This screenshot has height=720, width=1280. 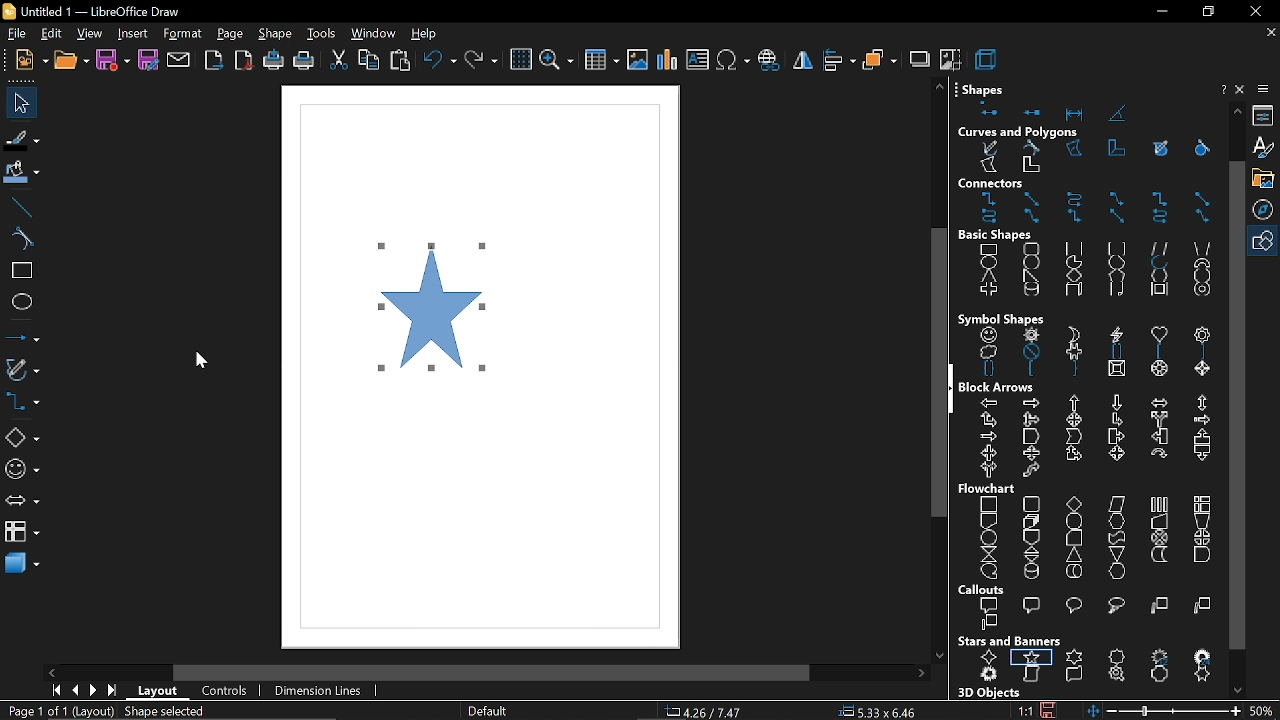 What do you see at coordinates (22, 438) in the screenshot?
I see `basic shapes` at bounding box center [22, 438].